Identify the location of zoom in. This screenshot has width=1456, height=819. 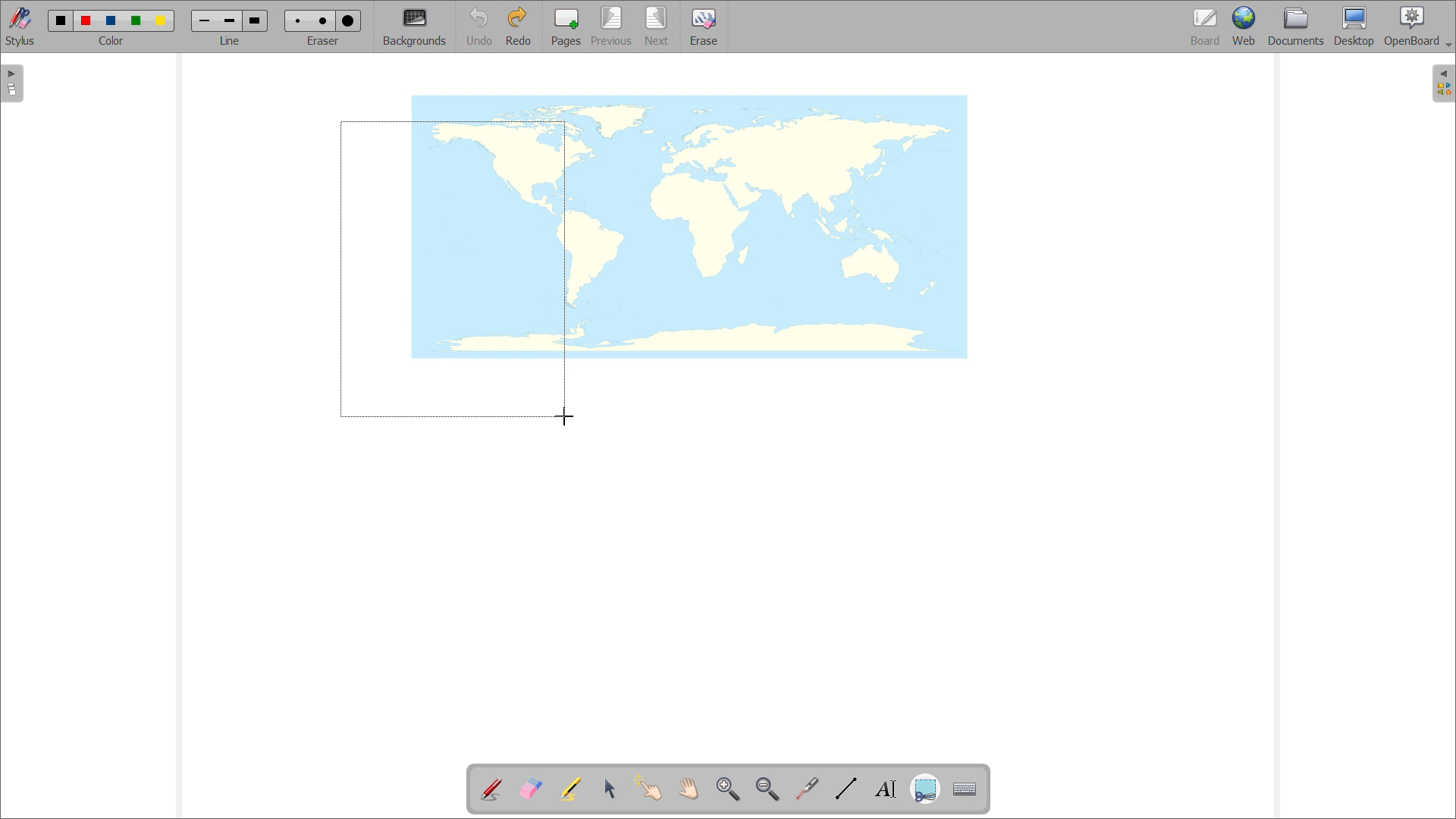
(728, 789).